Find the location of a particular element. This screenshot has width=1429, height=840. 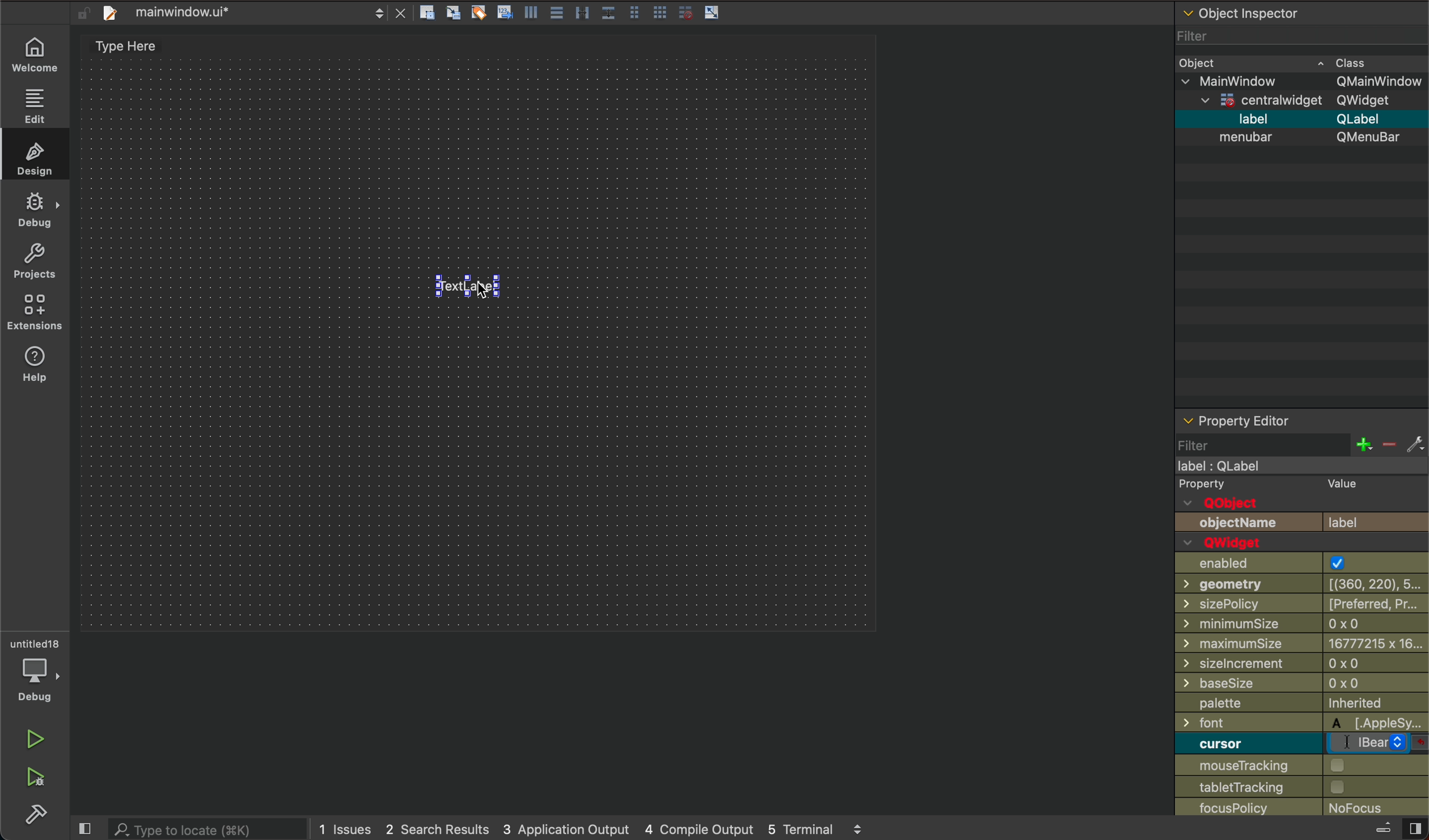

text label is located at coordinates (484, 286).